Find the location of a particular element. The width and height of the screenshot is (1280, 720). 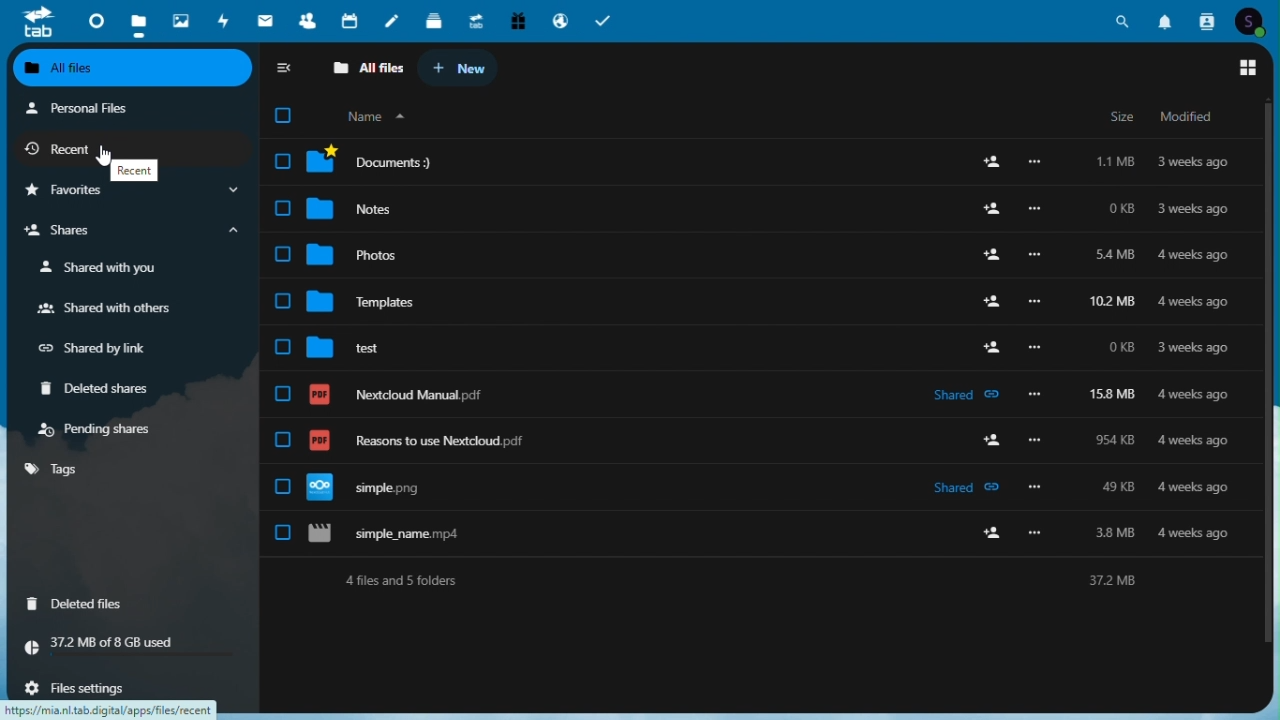

tab is located at coordinates (34, 24).